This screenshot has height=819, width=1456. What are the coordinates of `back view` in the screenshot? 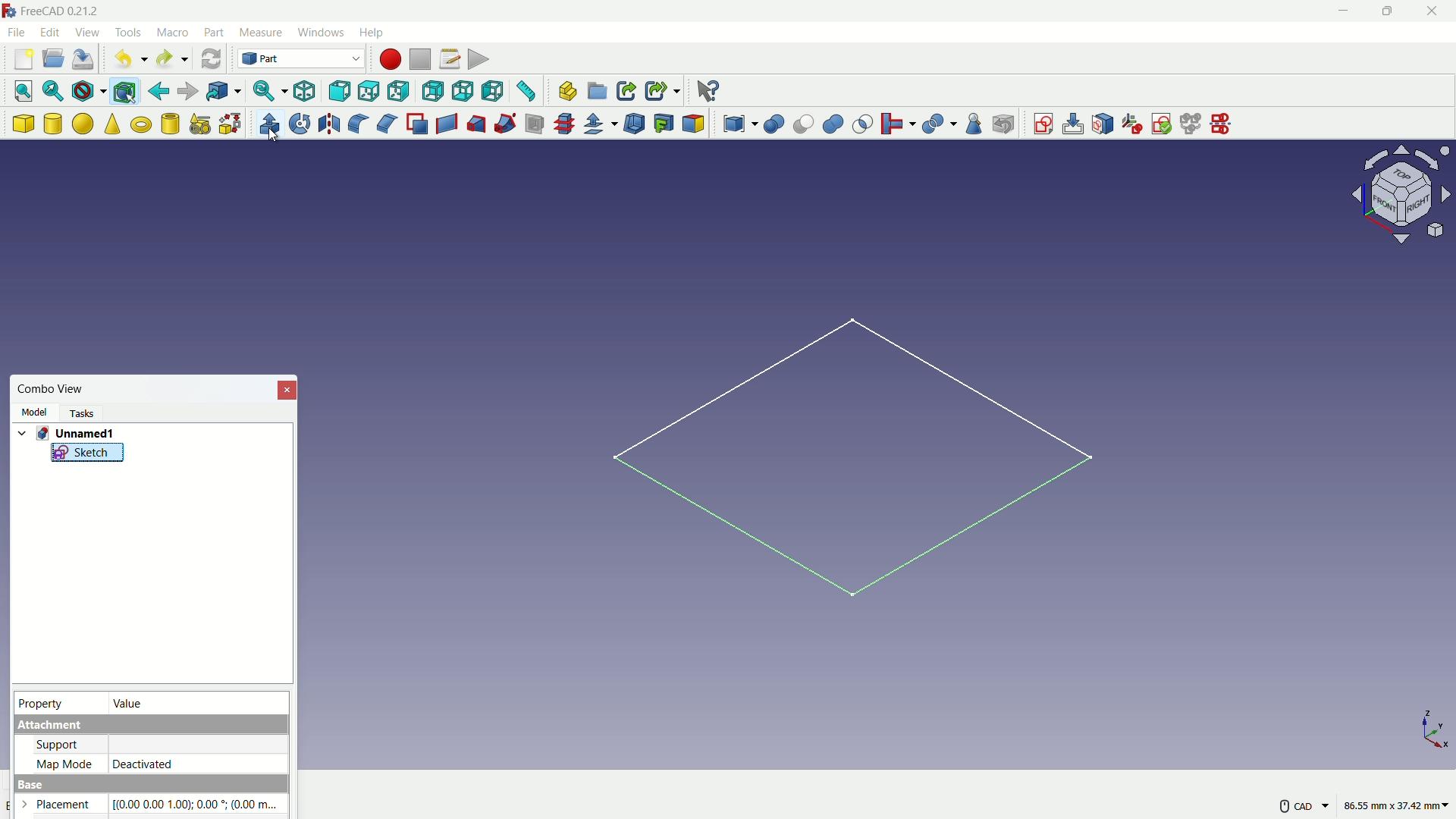 It's located at (432, 92).